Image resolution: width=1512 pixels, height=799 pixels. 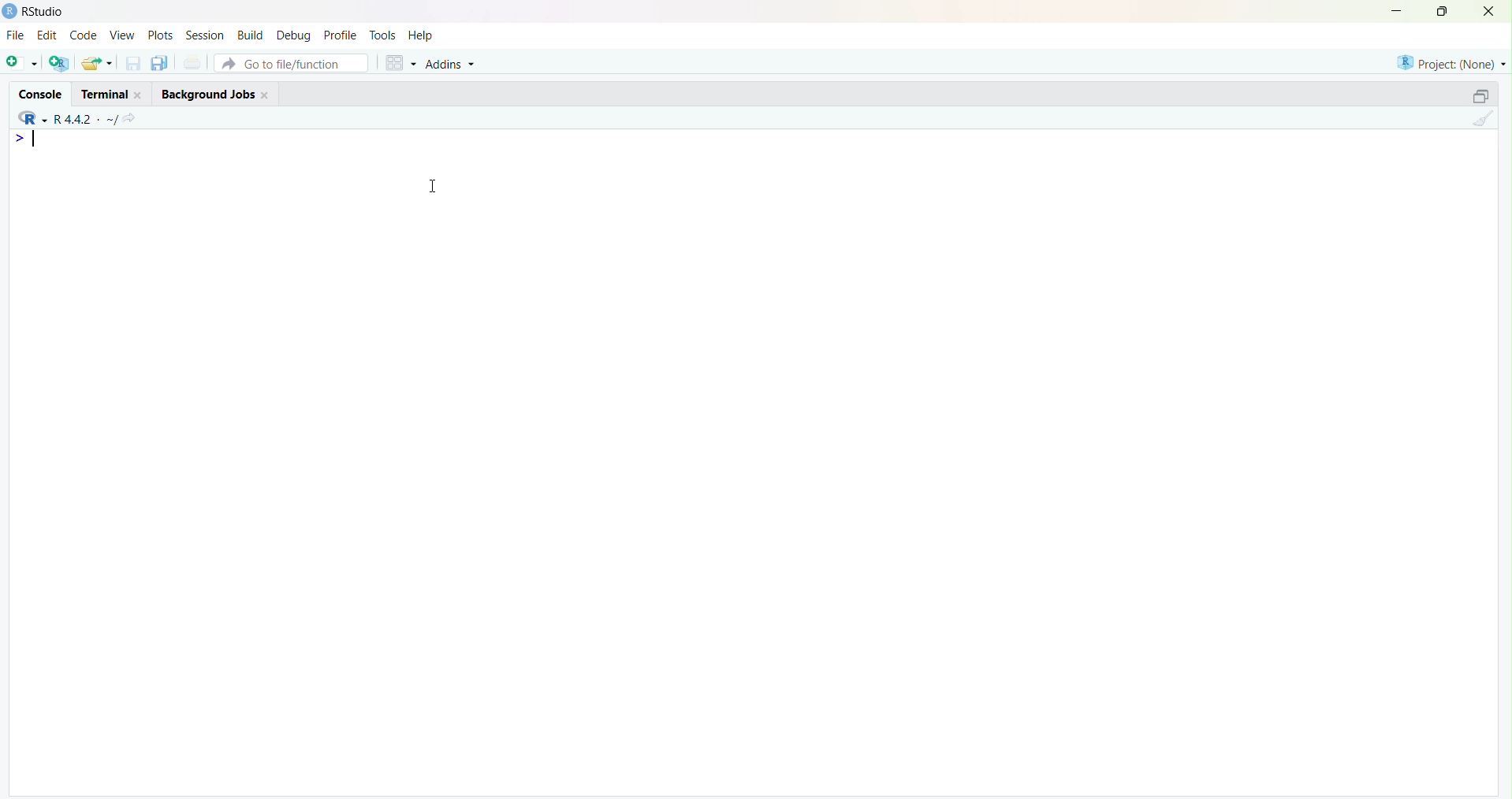 I want to click on Addins, so click(x=452, y=62).